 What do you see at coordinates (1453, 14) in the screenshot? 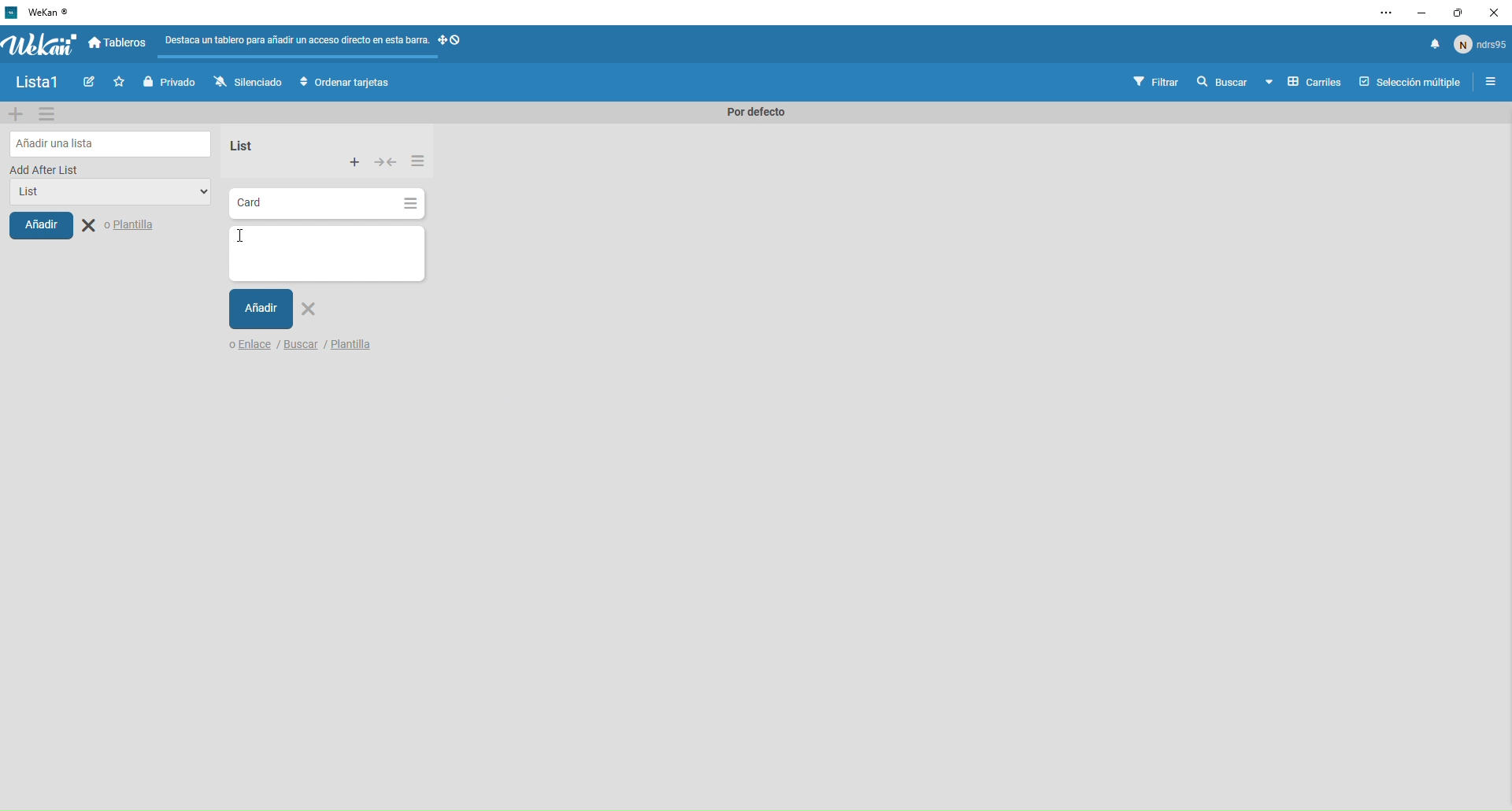
I see `maximise` at bounding box center [1453, 14].